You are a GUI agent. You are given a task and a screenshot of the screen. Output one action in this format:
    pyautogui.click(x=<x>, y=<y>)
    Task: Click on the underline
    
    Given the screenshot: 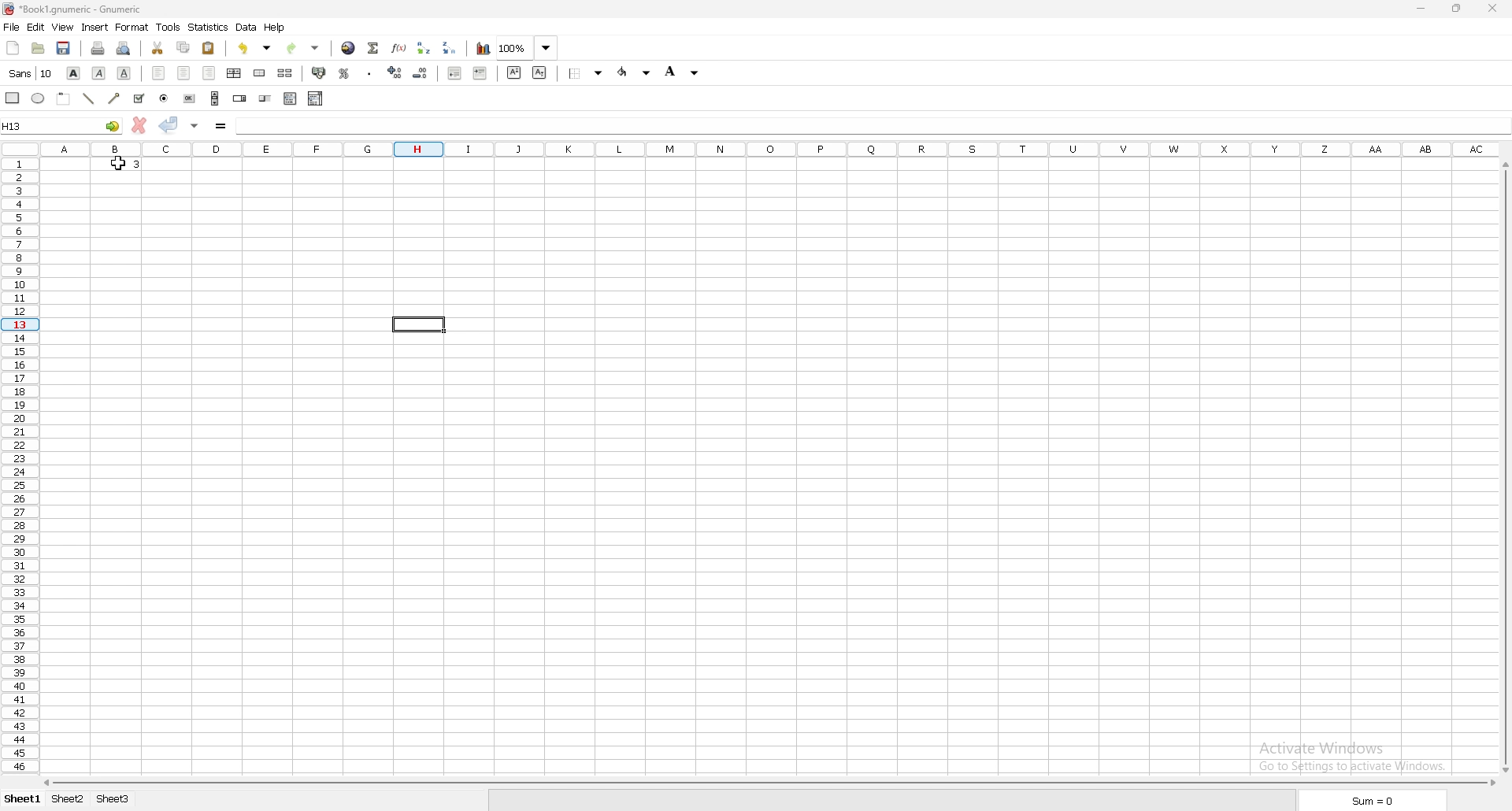 What is the action you would take?
    pyautogui.click(x=124, y=74)
    